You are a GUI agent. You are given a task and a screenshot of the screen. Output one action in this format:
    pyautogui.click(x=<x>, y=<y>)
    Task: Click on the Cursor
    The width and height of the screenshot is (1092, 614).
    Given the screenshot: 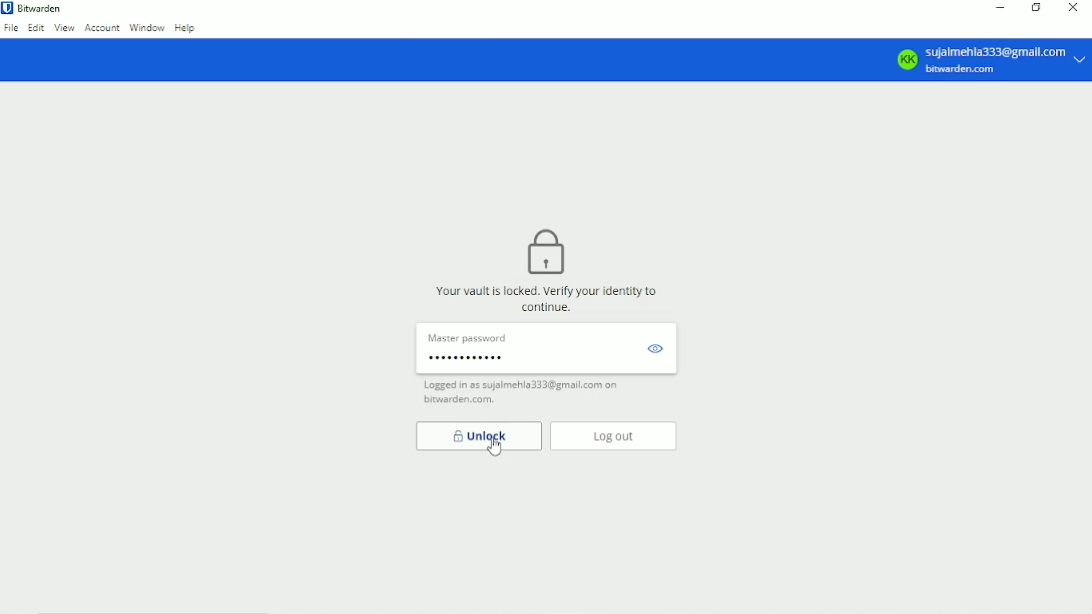 What is the action you would take?
    pyautogui.click(x=496, y=449)
    